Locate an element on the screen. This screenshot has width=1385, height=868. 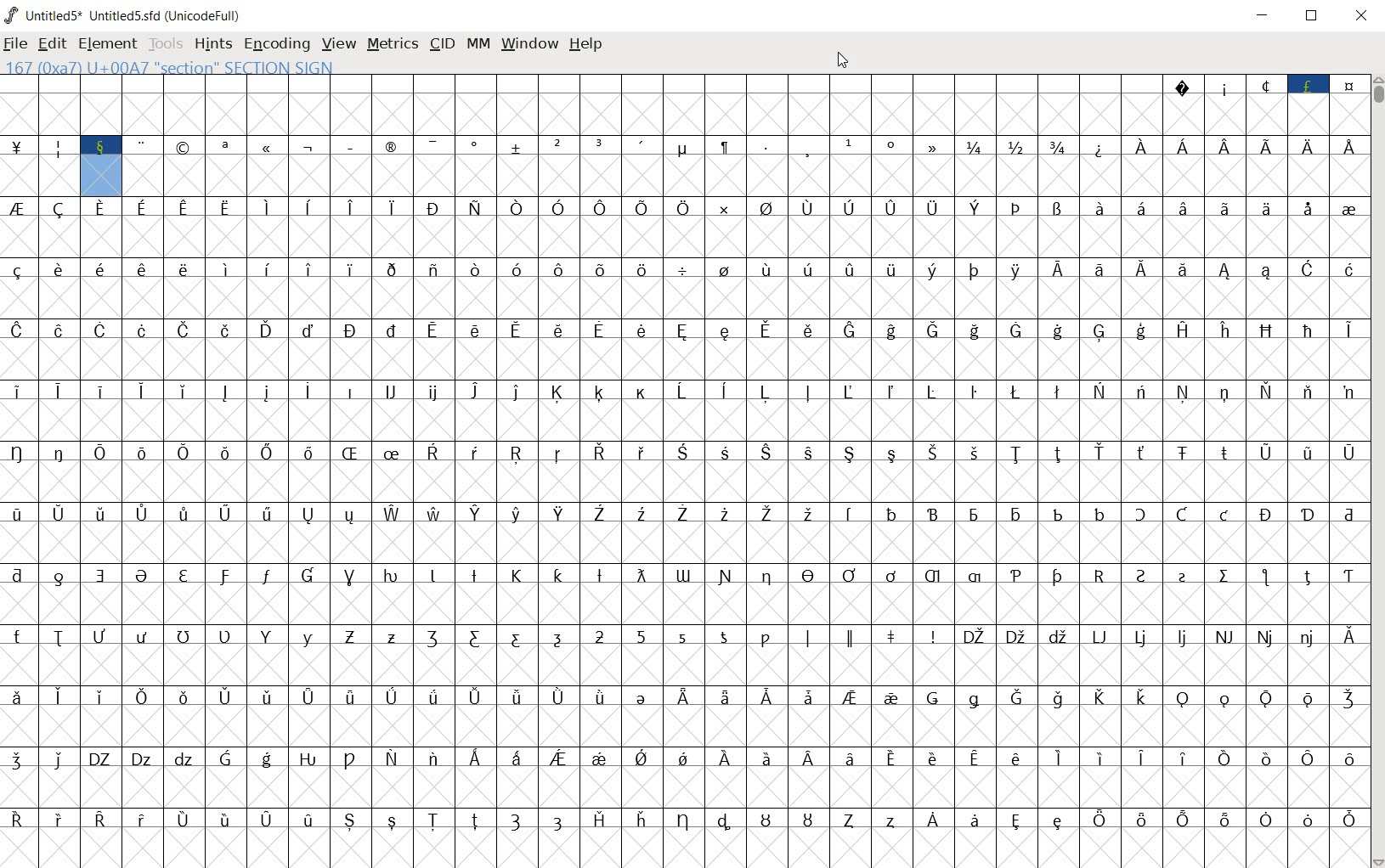
latin extended characters is located at coordinates (684, 440).